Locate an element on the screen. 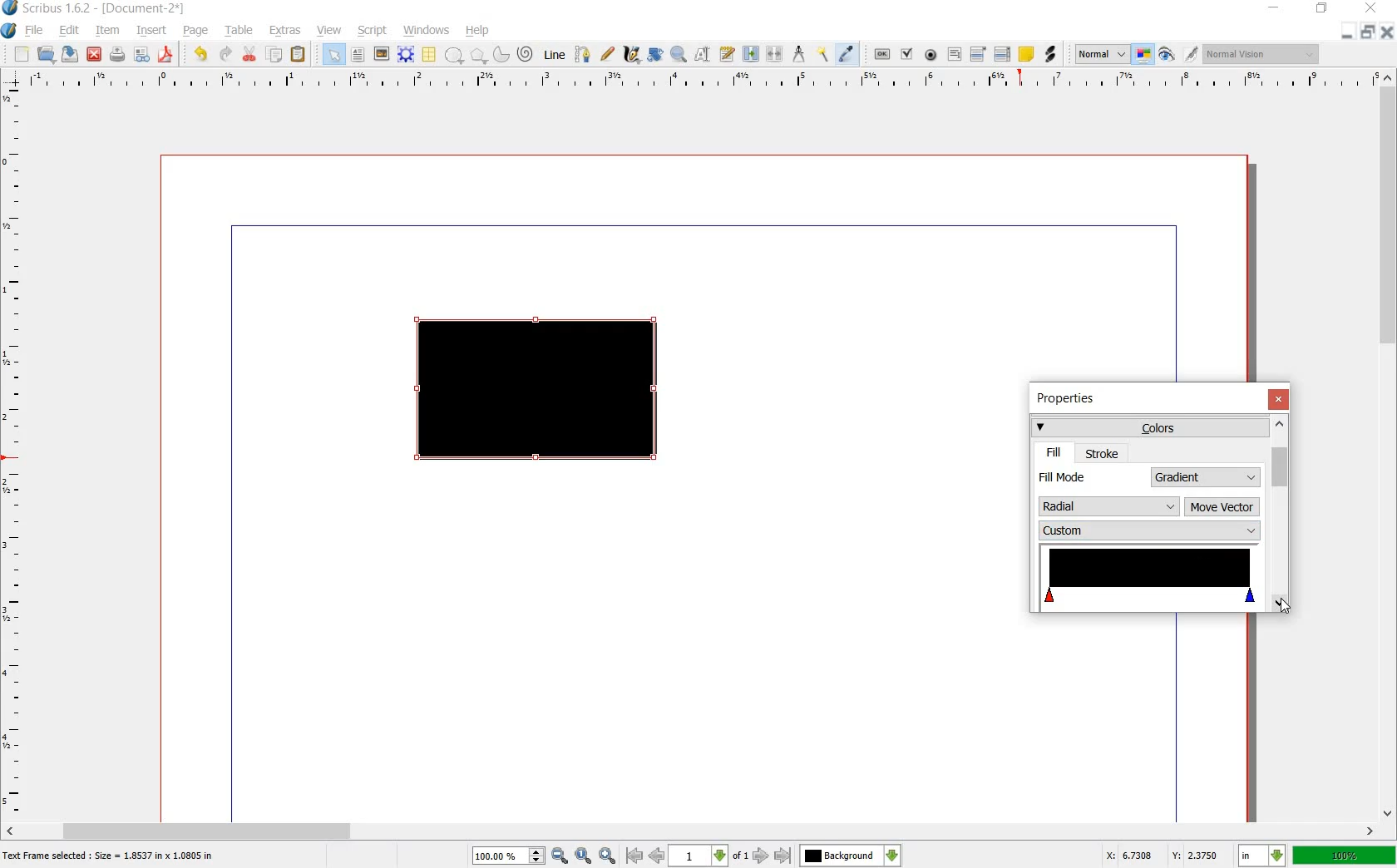 The image size is (1397, 868). pdf push button is located at coordinates (882, 52).